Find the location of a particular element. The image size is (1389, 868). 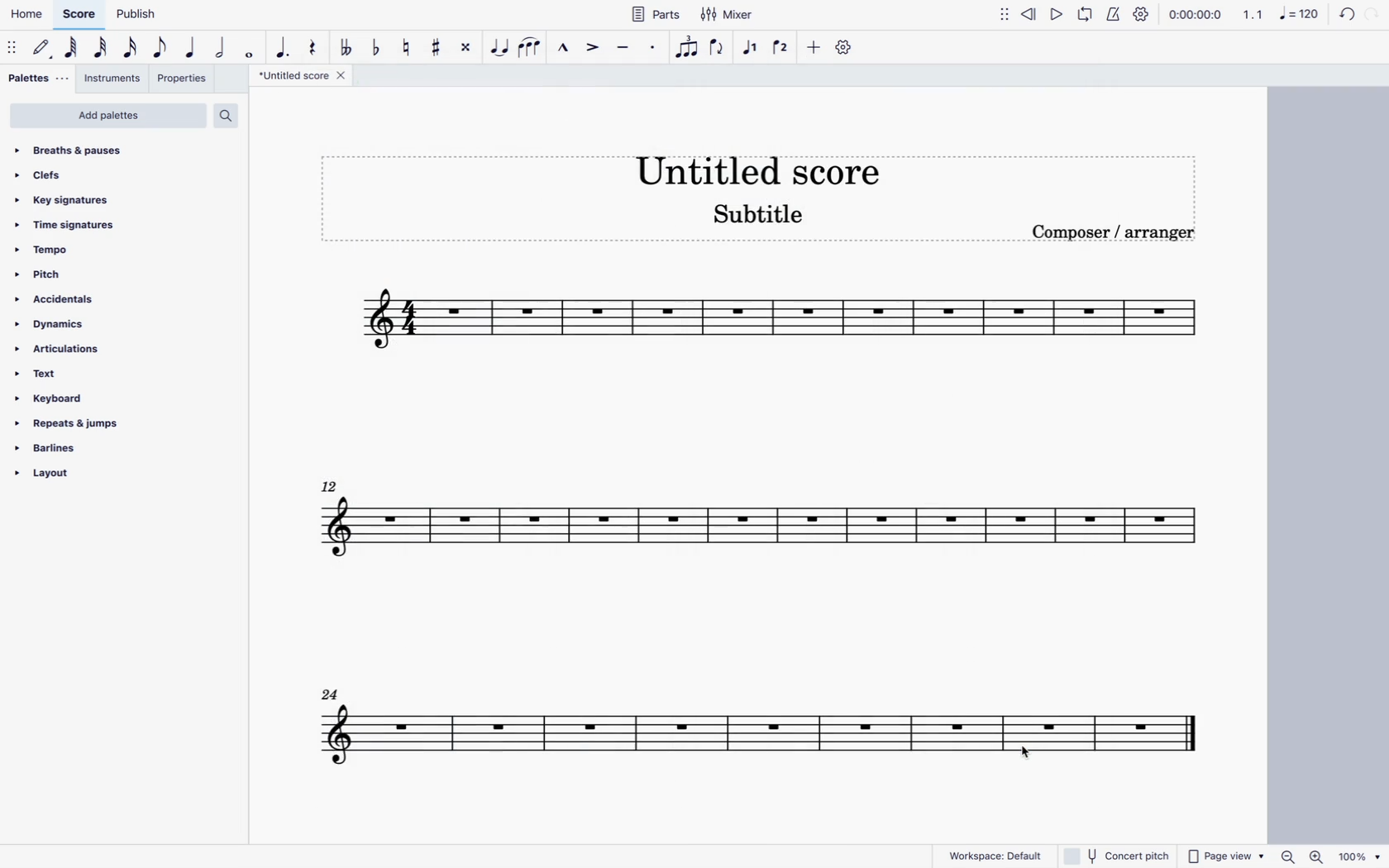

Publish is located at coordinates (136, 14).